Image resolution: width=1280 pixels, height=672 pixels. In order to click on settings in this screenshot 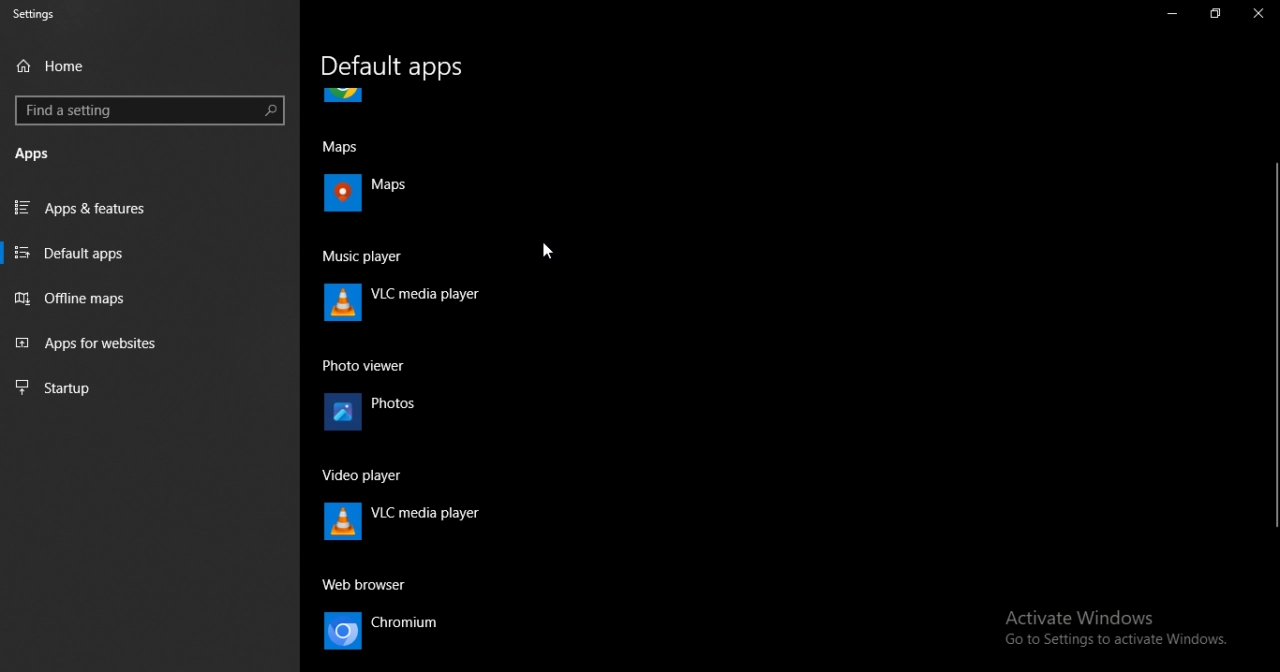, I will do `click(41, 15)`.